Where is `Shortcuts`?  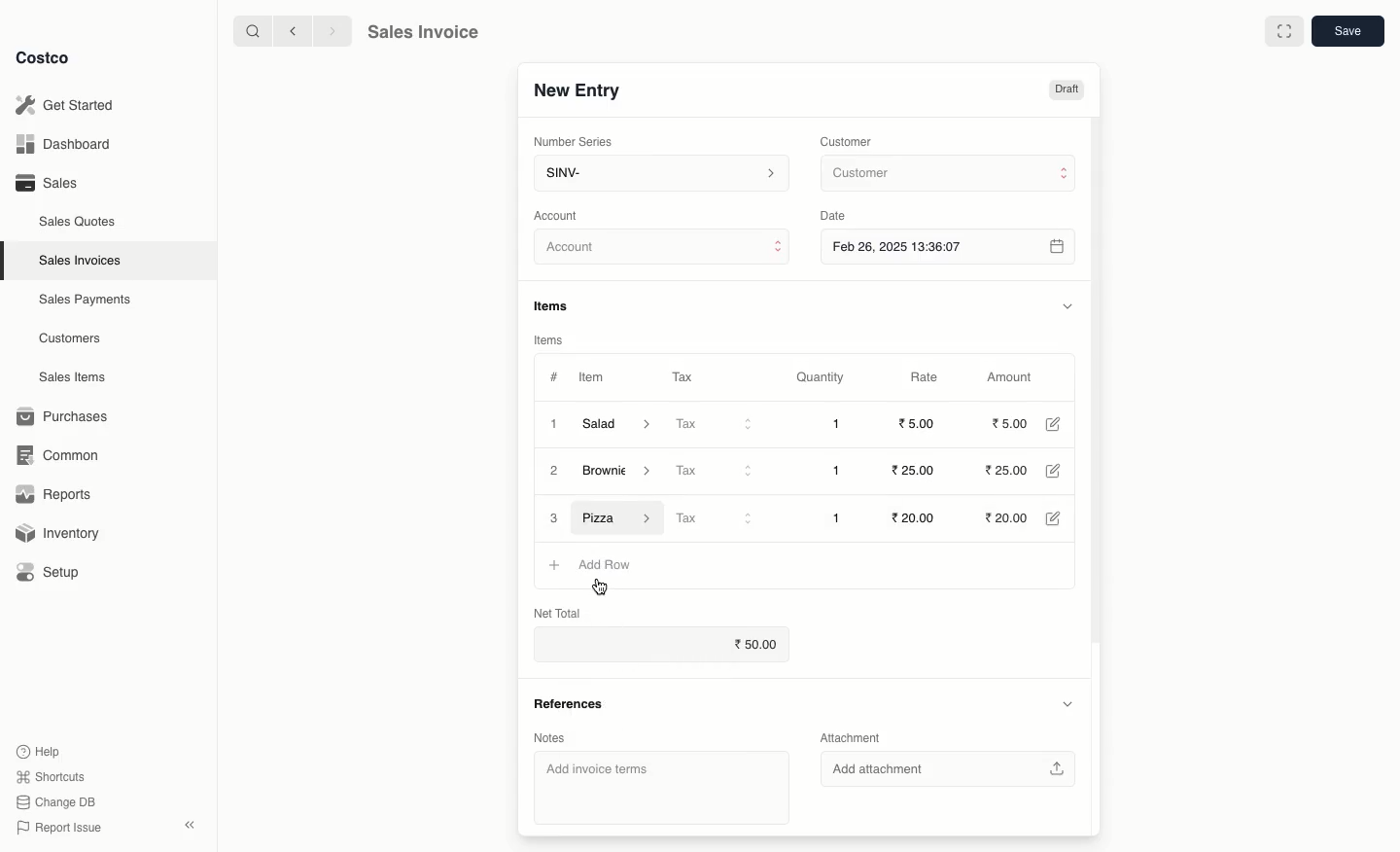 Shortcuts is located at coordinates (50, 777).